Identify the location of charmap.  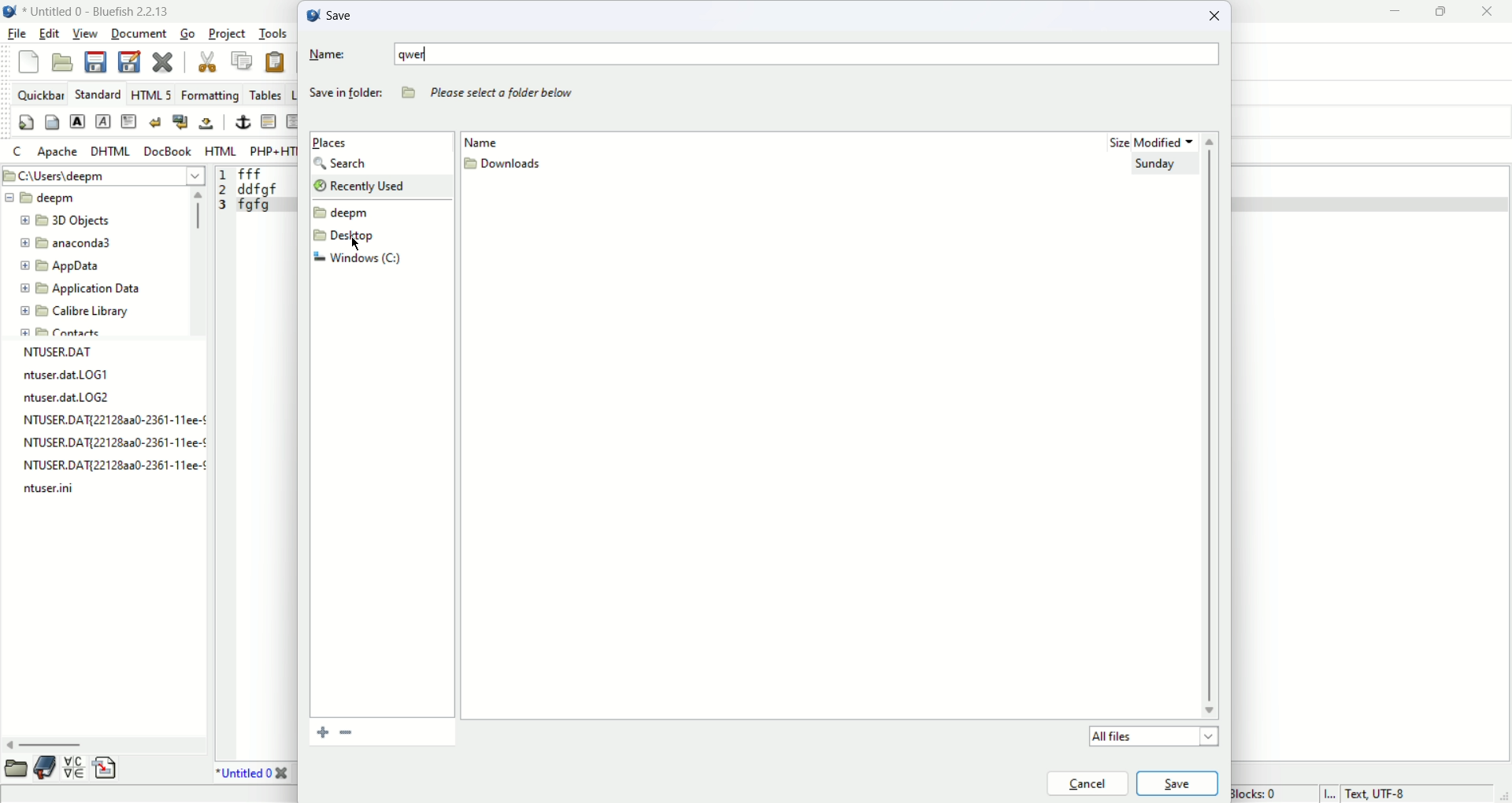
(75, 772).